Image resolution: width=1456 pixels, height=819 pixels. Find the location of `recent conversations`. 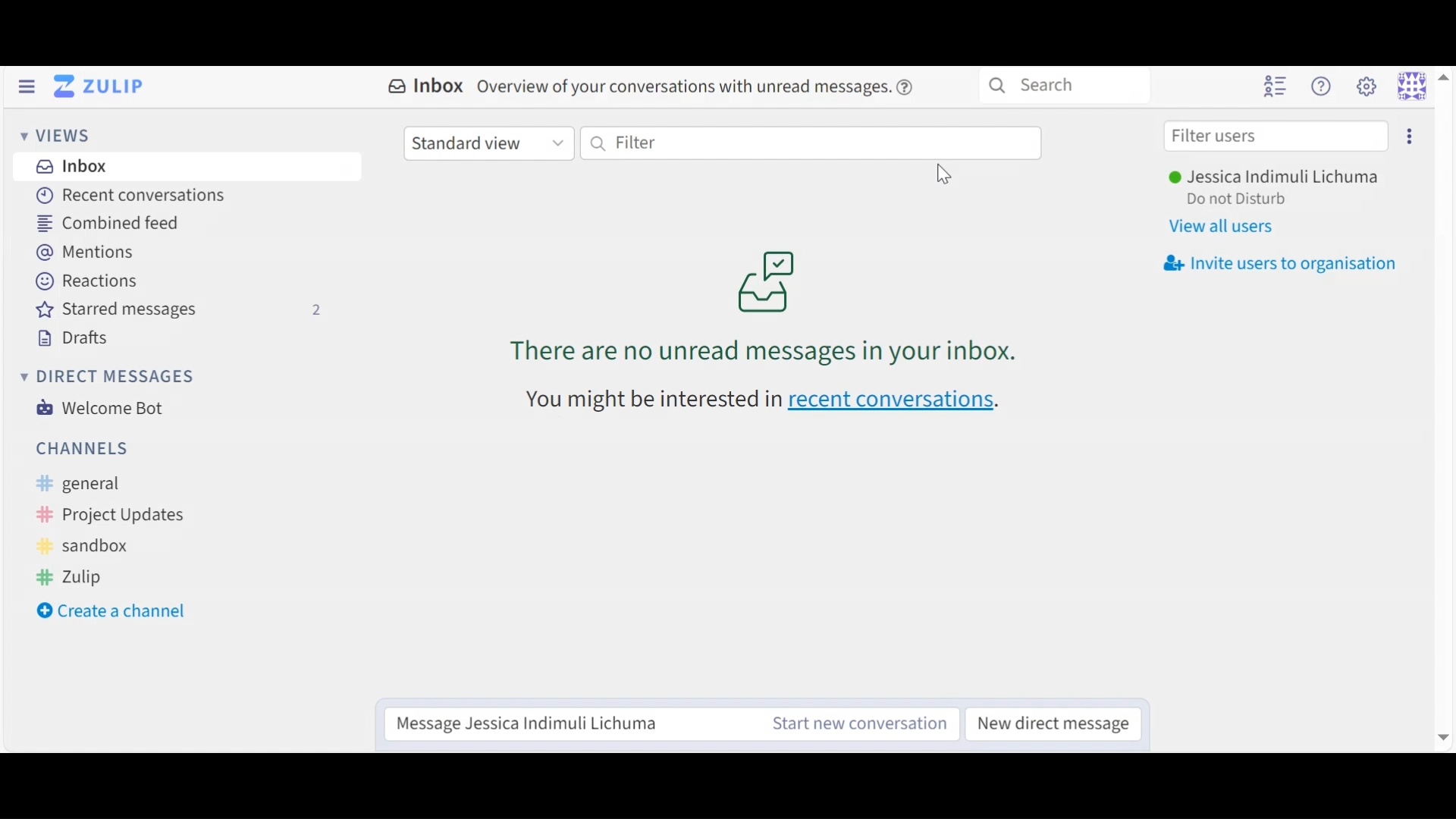

recent conversations is located at coordinates (763, 399).